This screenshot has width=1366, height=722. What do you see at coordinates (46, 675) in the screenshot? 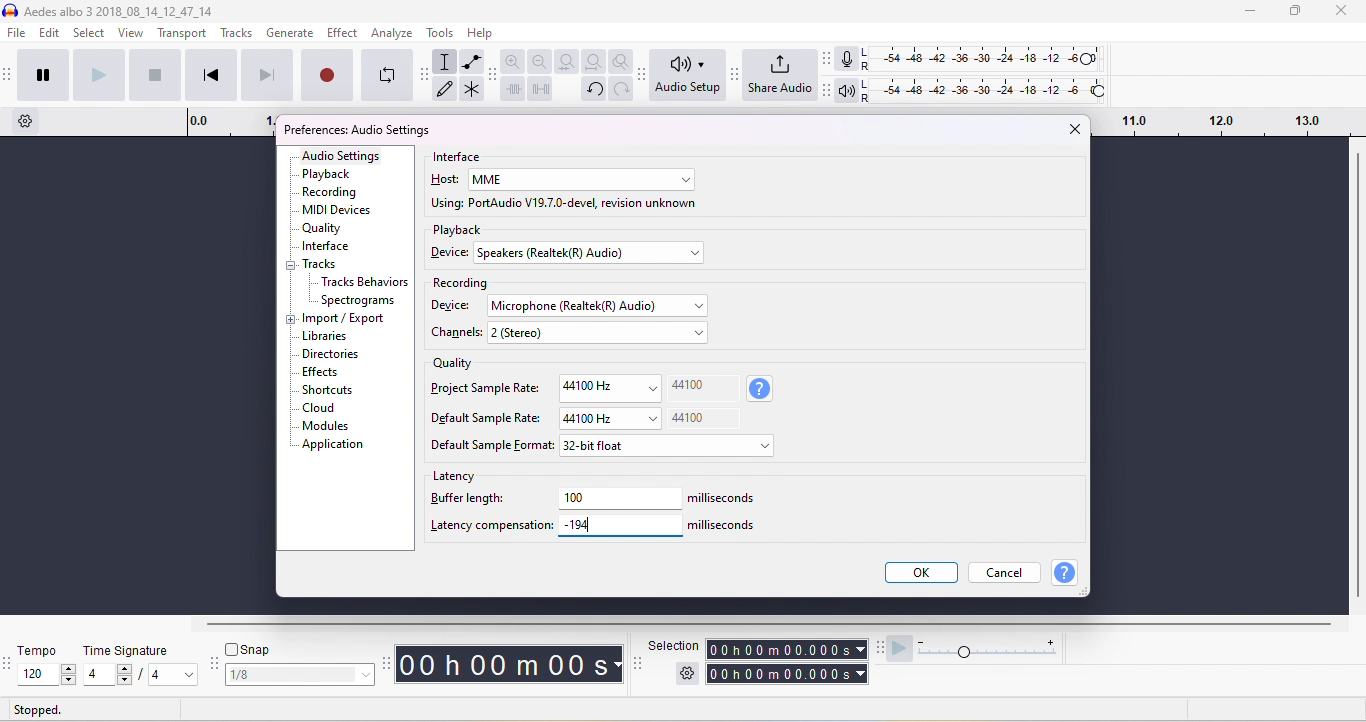
I see `select tempo` at bounding box center [46, 675].